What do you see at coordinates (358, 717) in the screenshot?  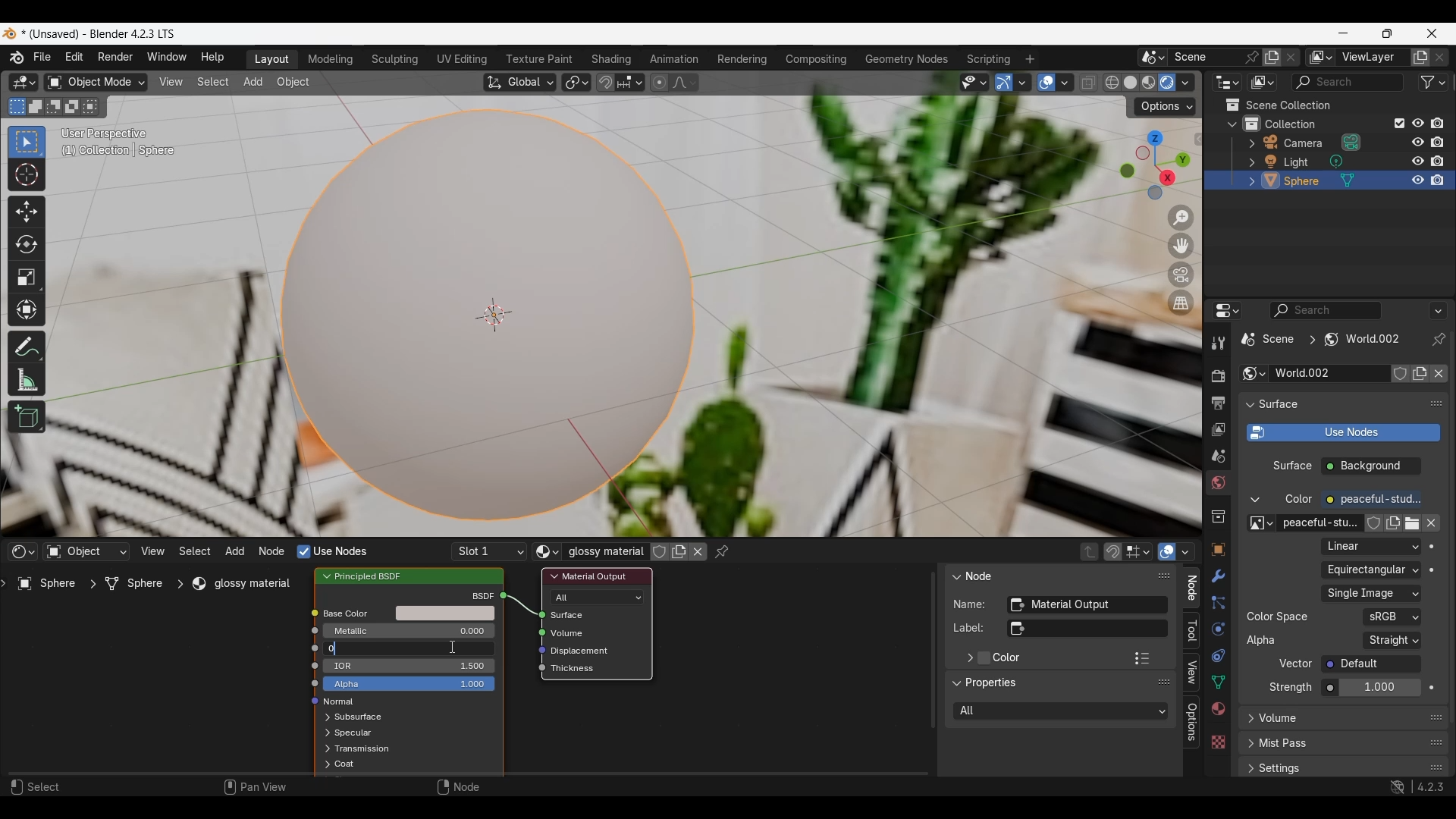 I see `Subsurface options` at bounding box center [358, 717].